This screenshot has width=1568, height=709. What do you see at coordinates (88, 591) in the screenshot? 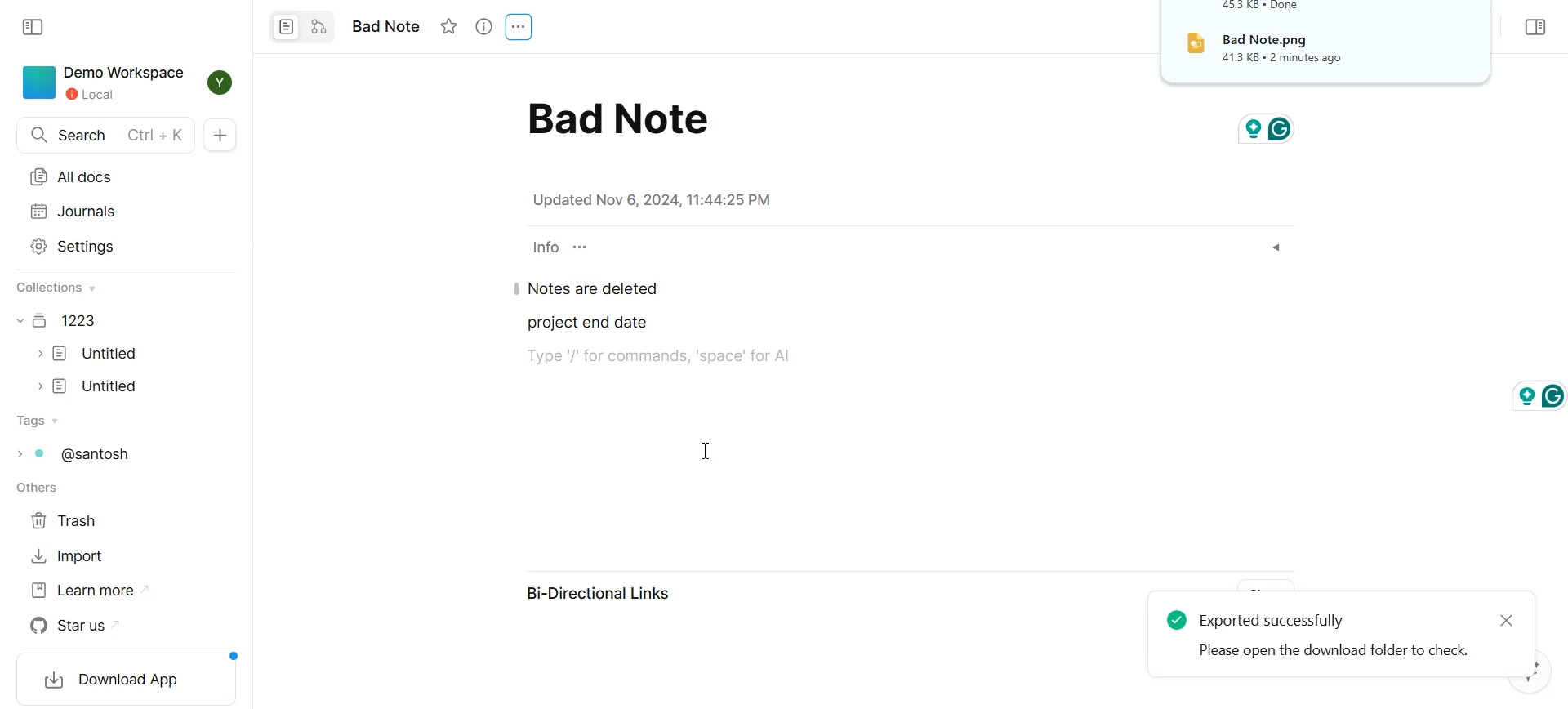
I see `Learn more` at bounding box center [88, 591].